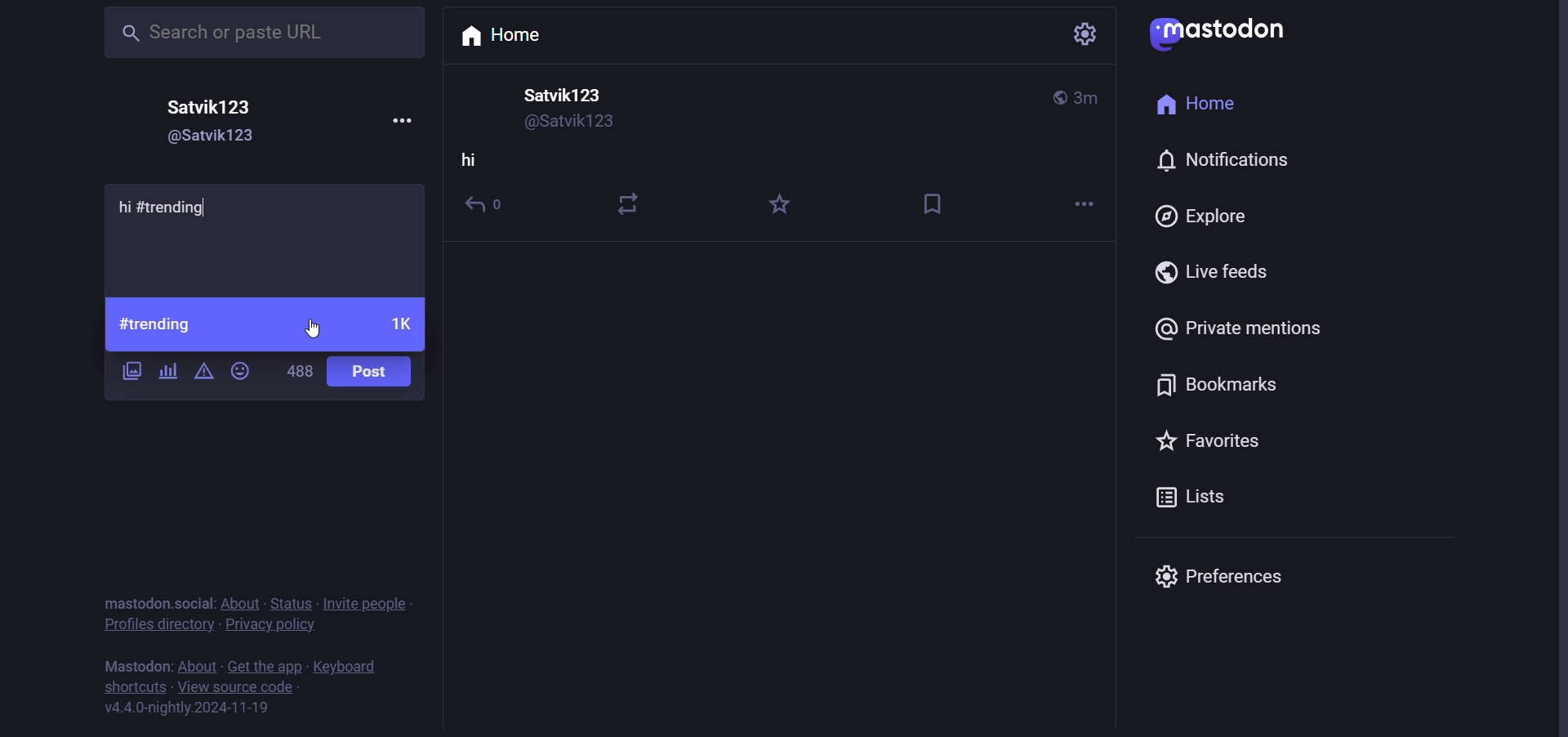  What do you see at coordinates (291, 605) in the screenshot?
I see `status` at bounding box center [291, 605].